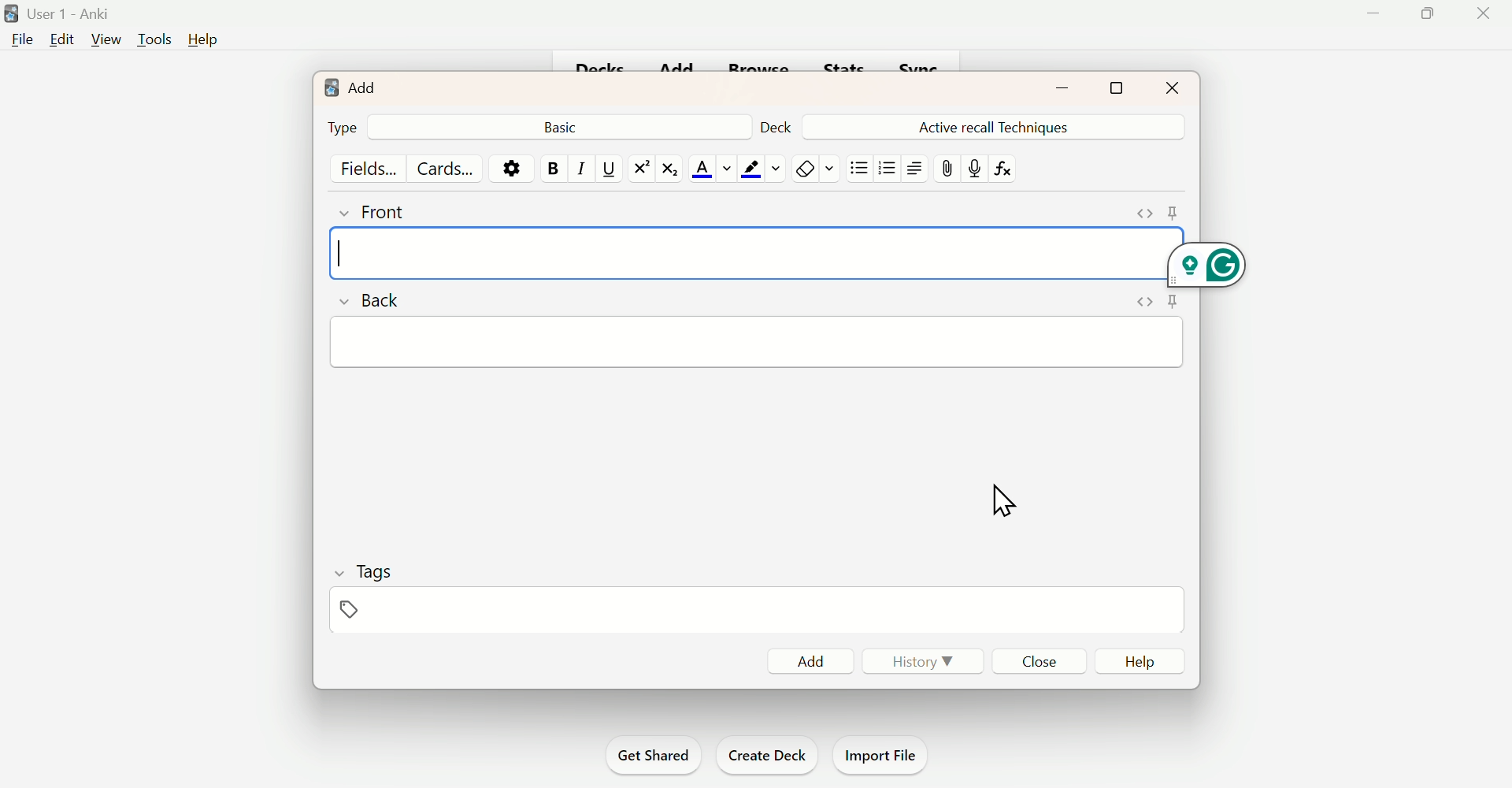 The width and height of the screenshot is (1512, 788). I want to click on File, so click(23, 42).